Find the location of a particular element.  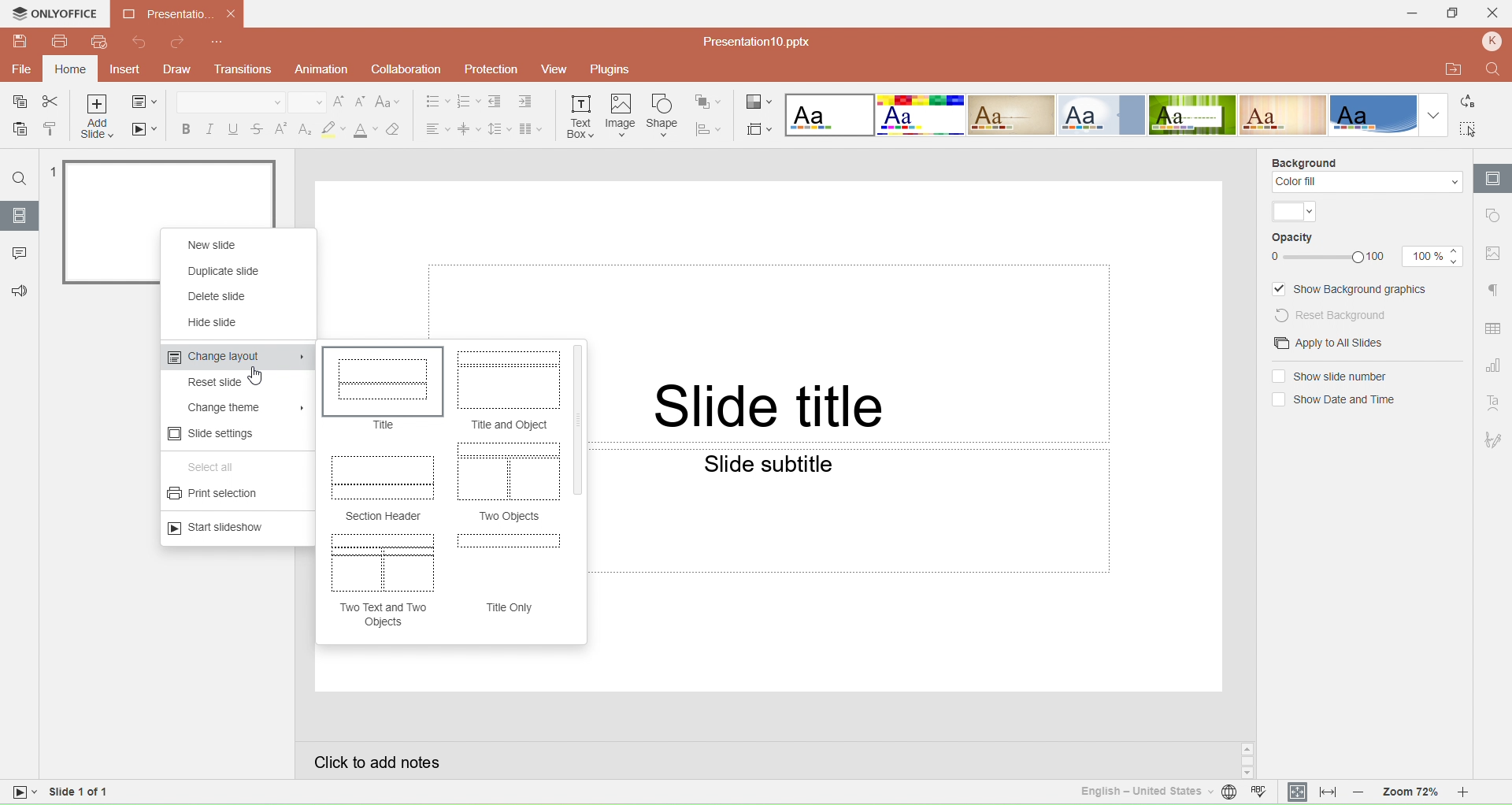

Fit to slide is located at coordinates (1297, 792).